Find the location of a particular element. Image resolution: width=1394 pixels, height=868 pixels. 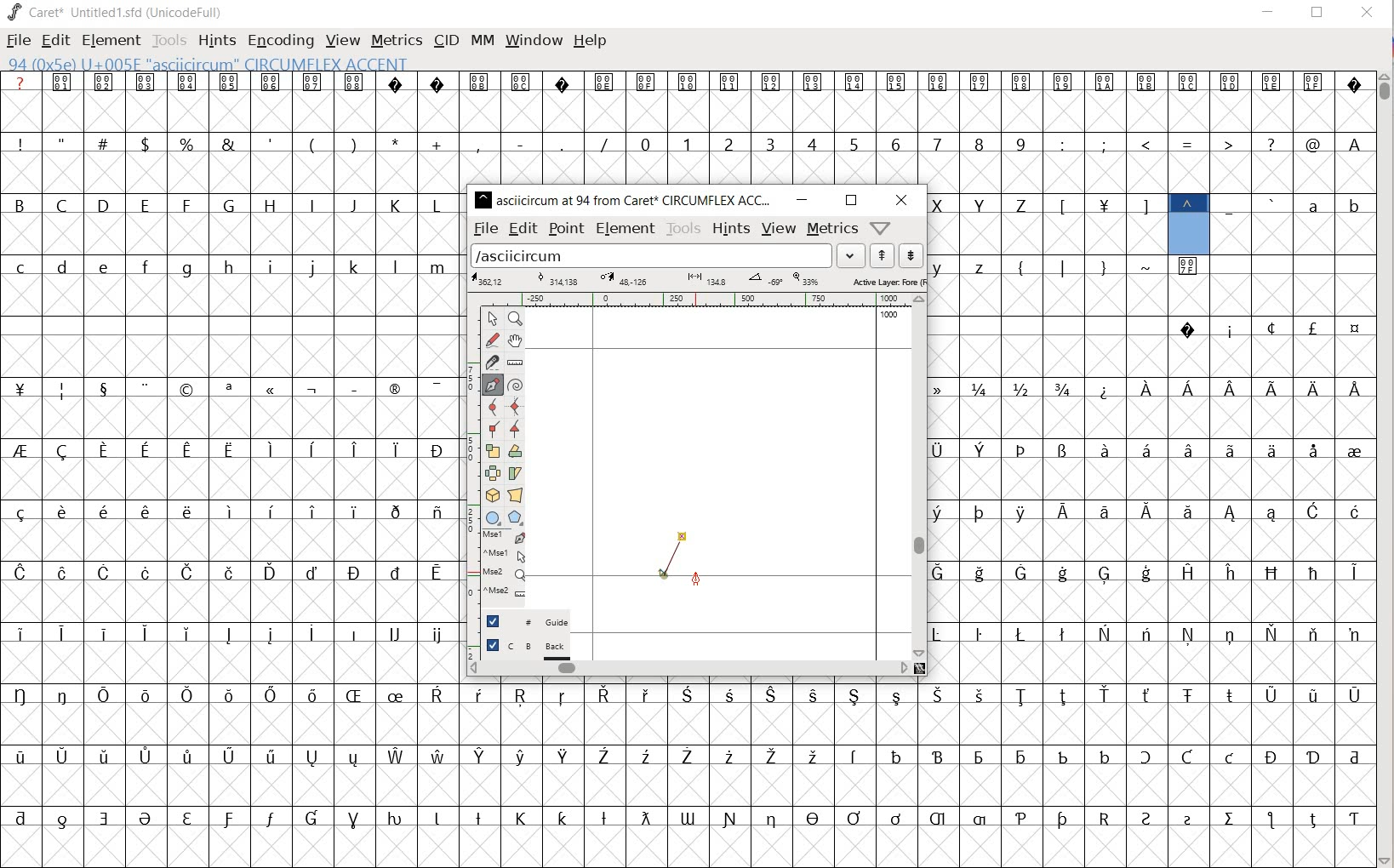

HELP is located at coordinates (591, 40).